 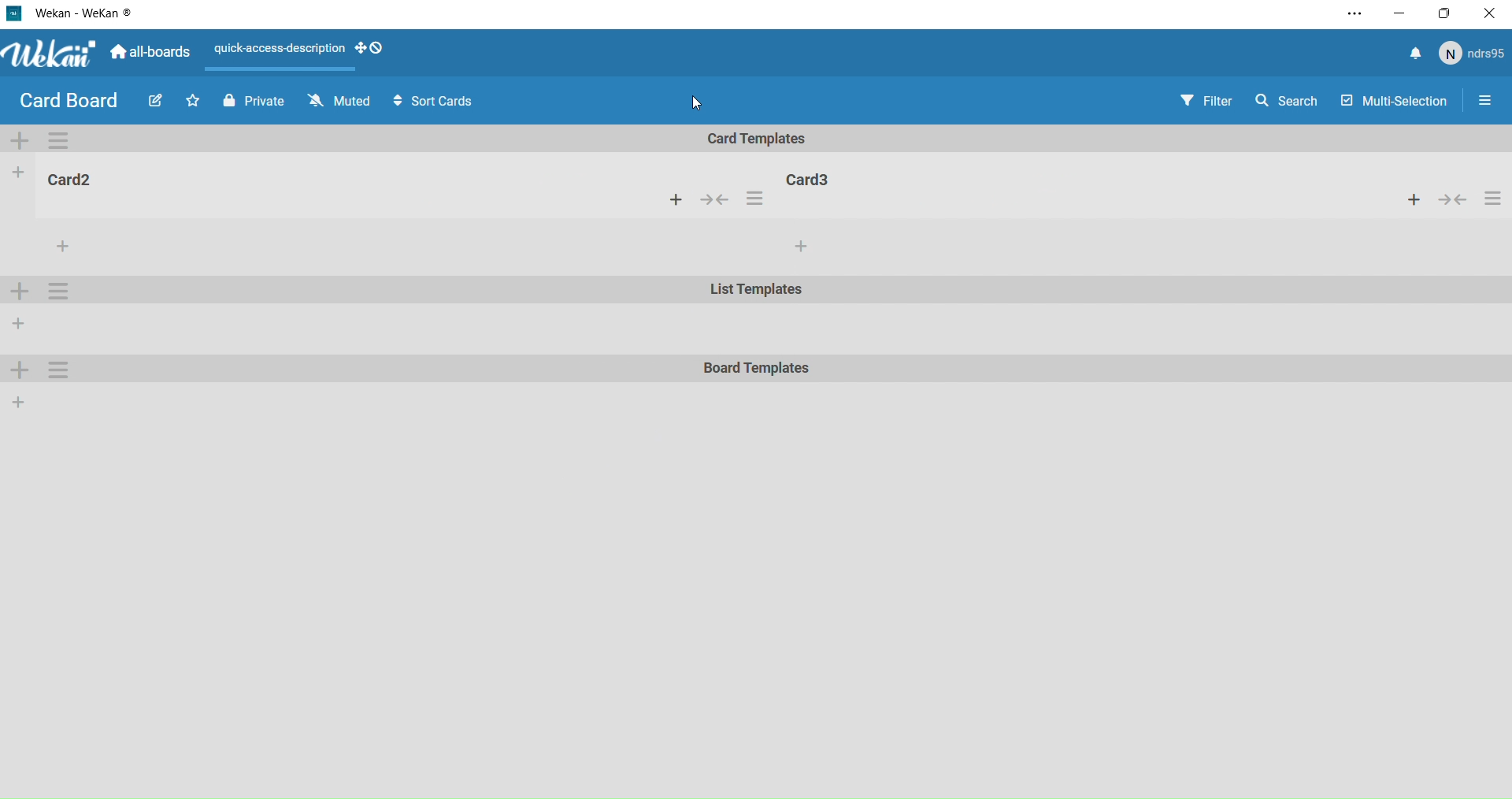 What do you see at coordinates (15, 371) in the screenshot?
I see `add` at bounding box center [15, 371].